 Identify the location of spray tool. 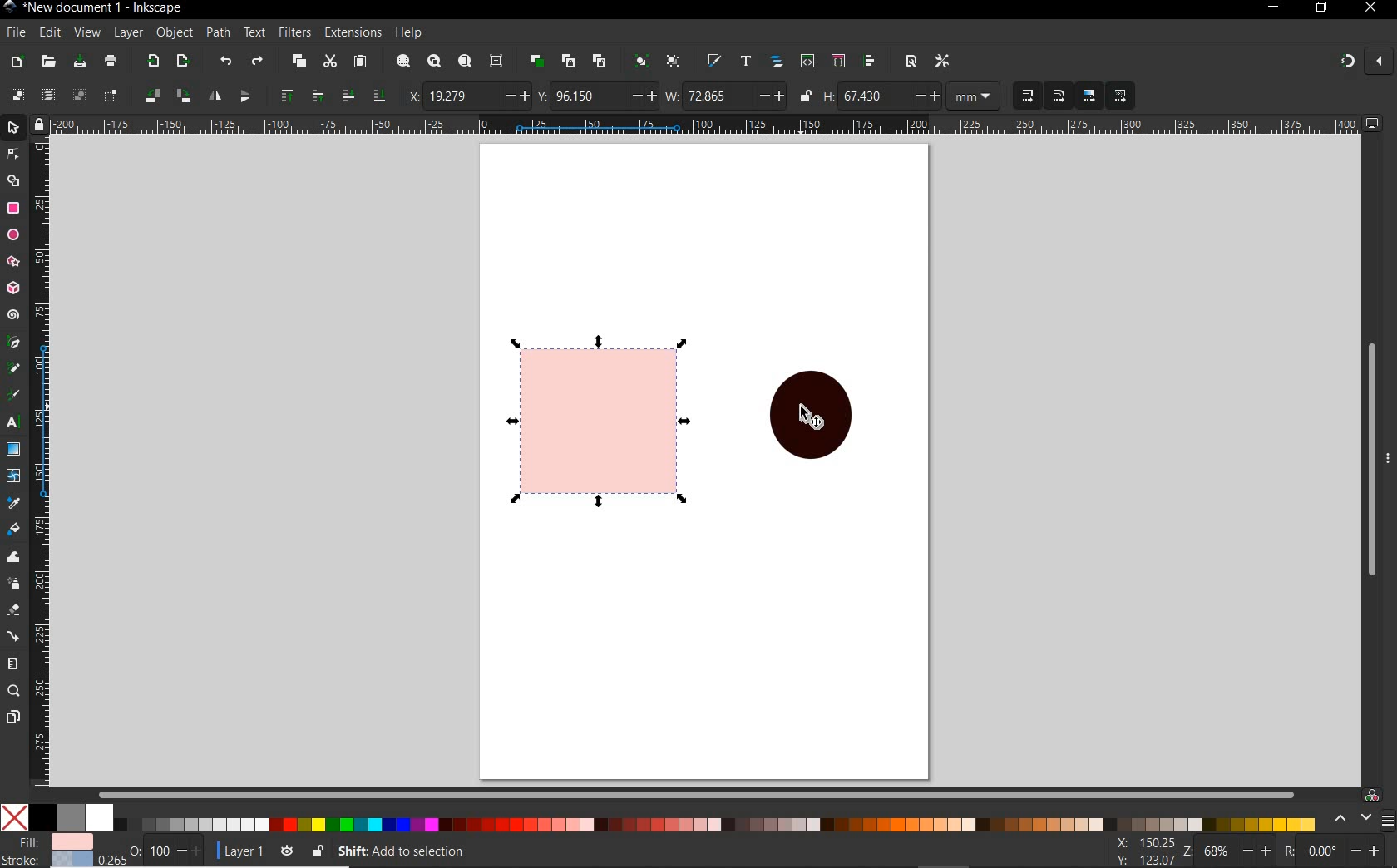
(15, 585).